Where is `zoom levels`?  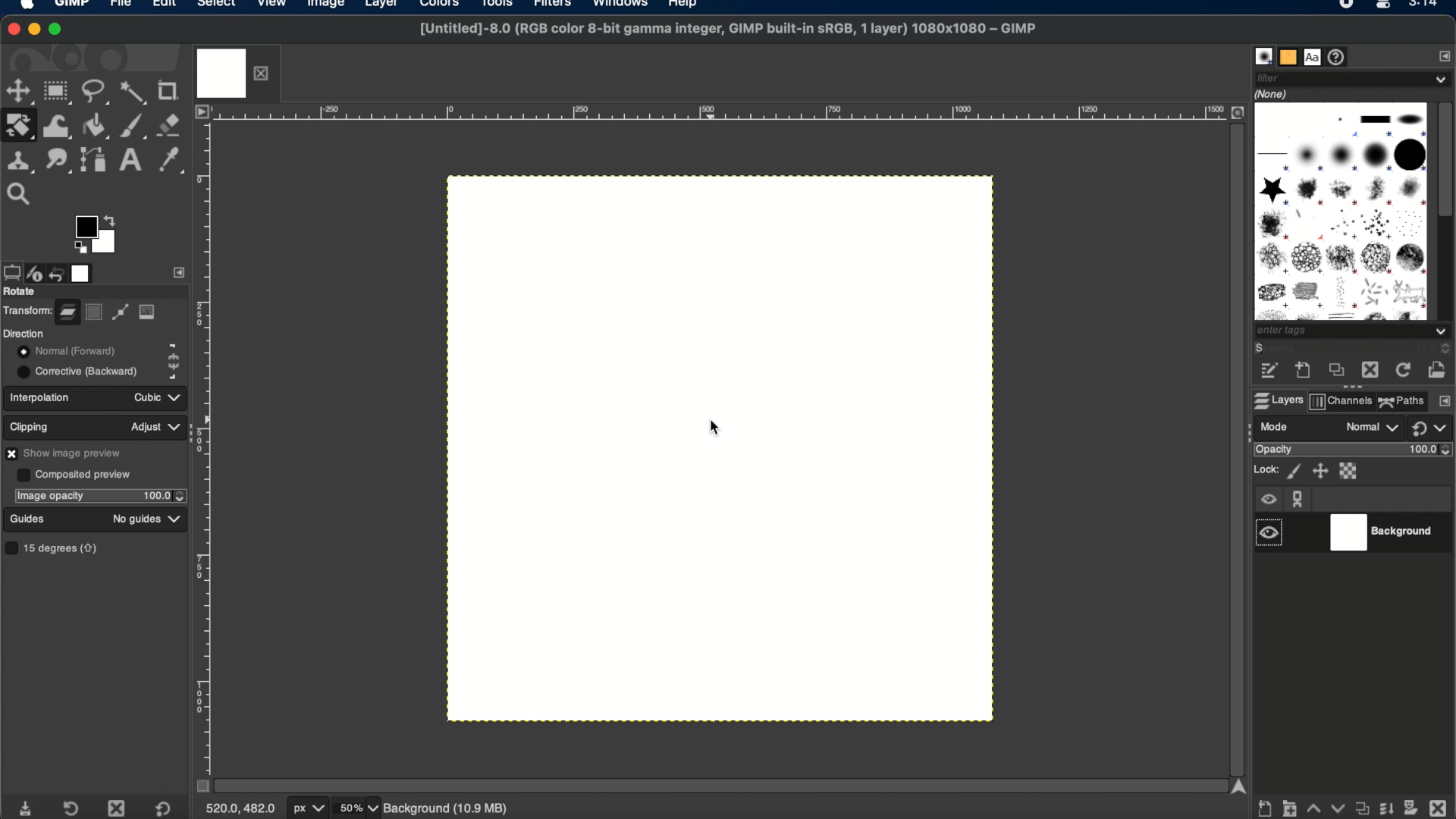 zoom levels is located at coordinates (359, 808).